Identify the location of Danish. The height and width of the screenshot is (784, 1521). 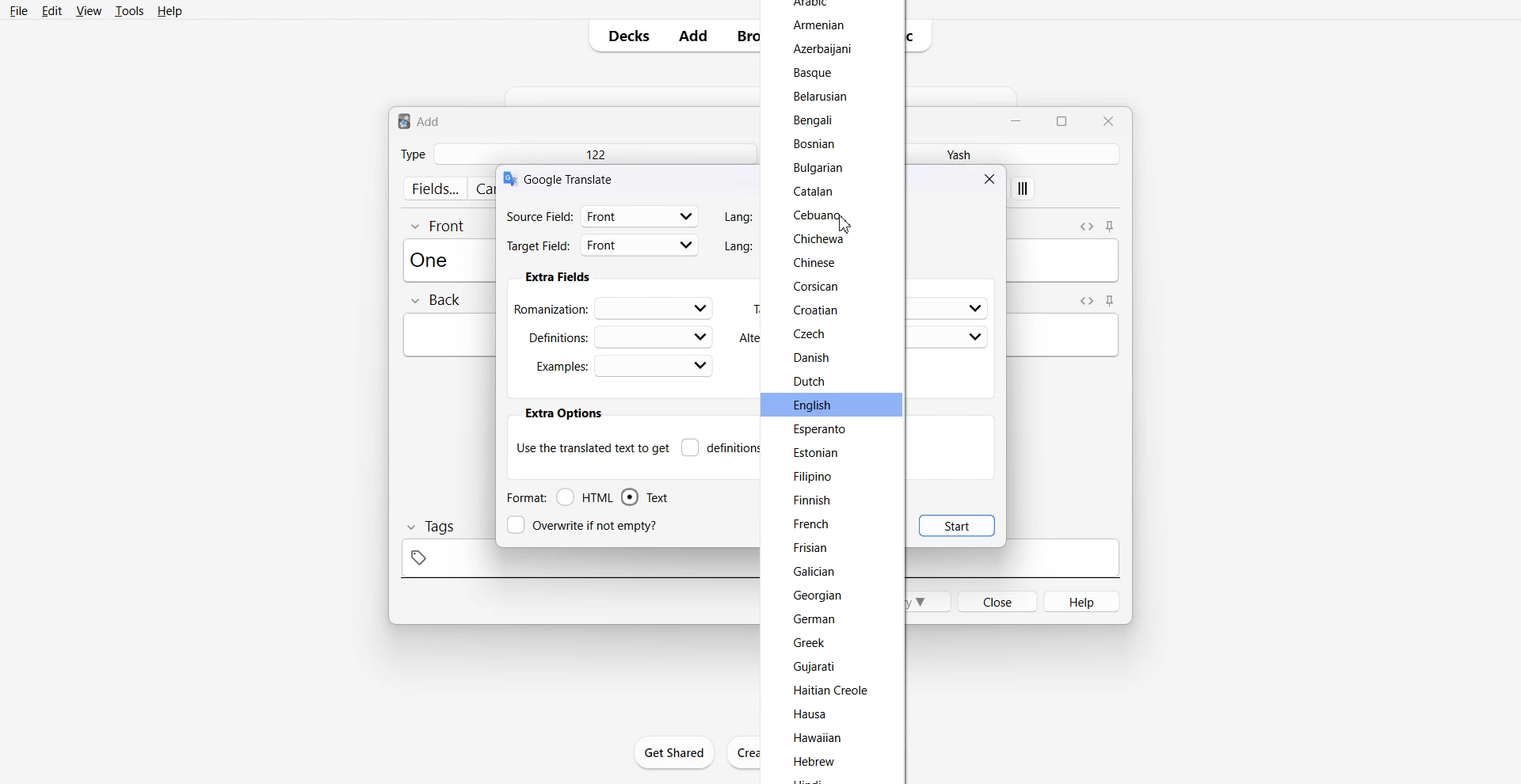
(810, 357).